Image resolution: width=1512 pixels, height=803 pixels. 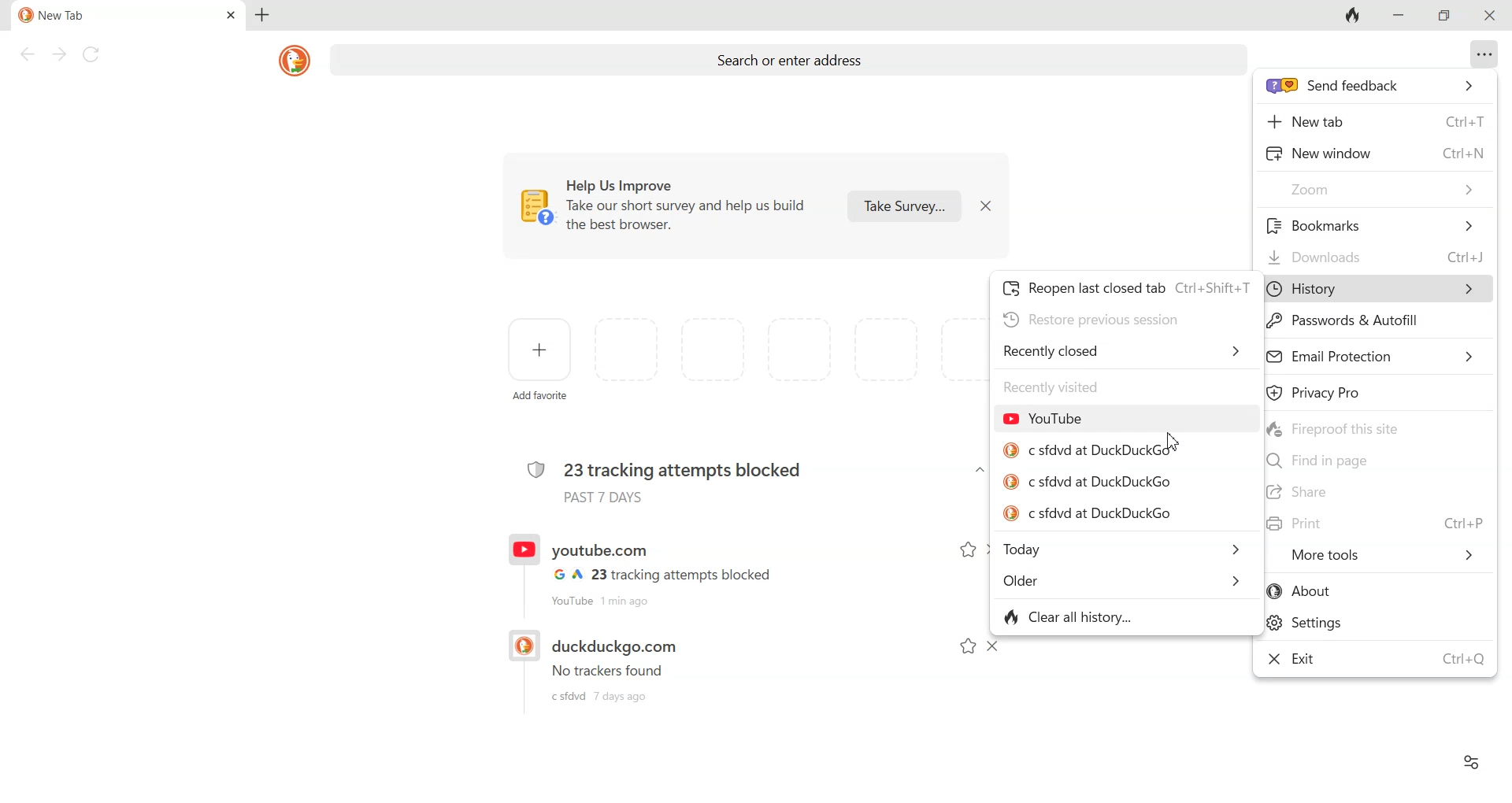 I want to click on Fire button, so click(x=1353, y=16).